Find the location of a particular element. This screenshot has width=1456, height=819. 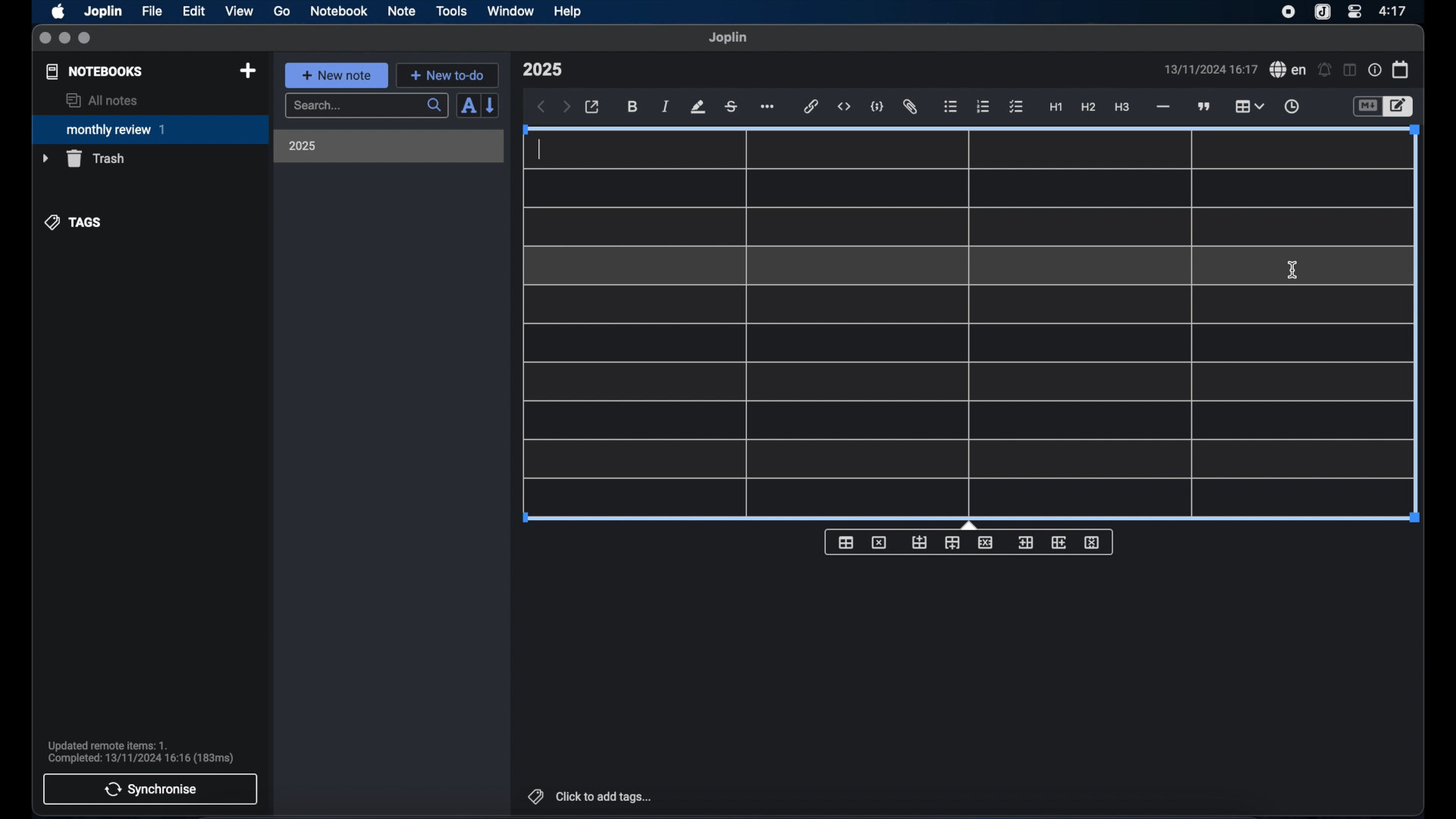

I beam cursor is located at coordinates (1294, 271).